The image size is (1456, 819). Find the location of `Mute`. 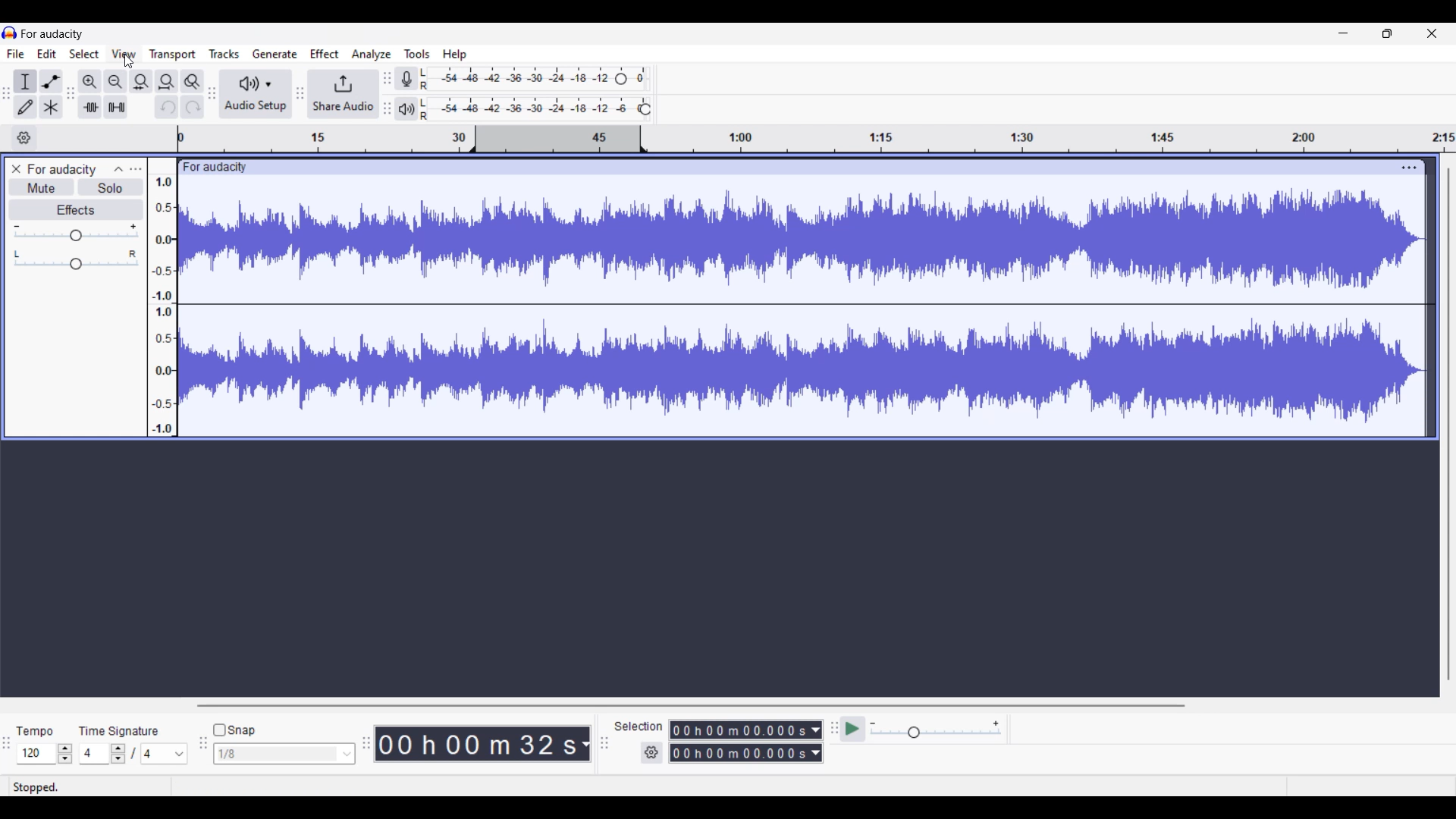

Mute is located at coordinates (42, 187).